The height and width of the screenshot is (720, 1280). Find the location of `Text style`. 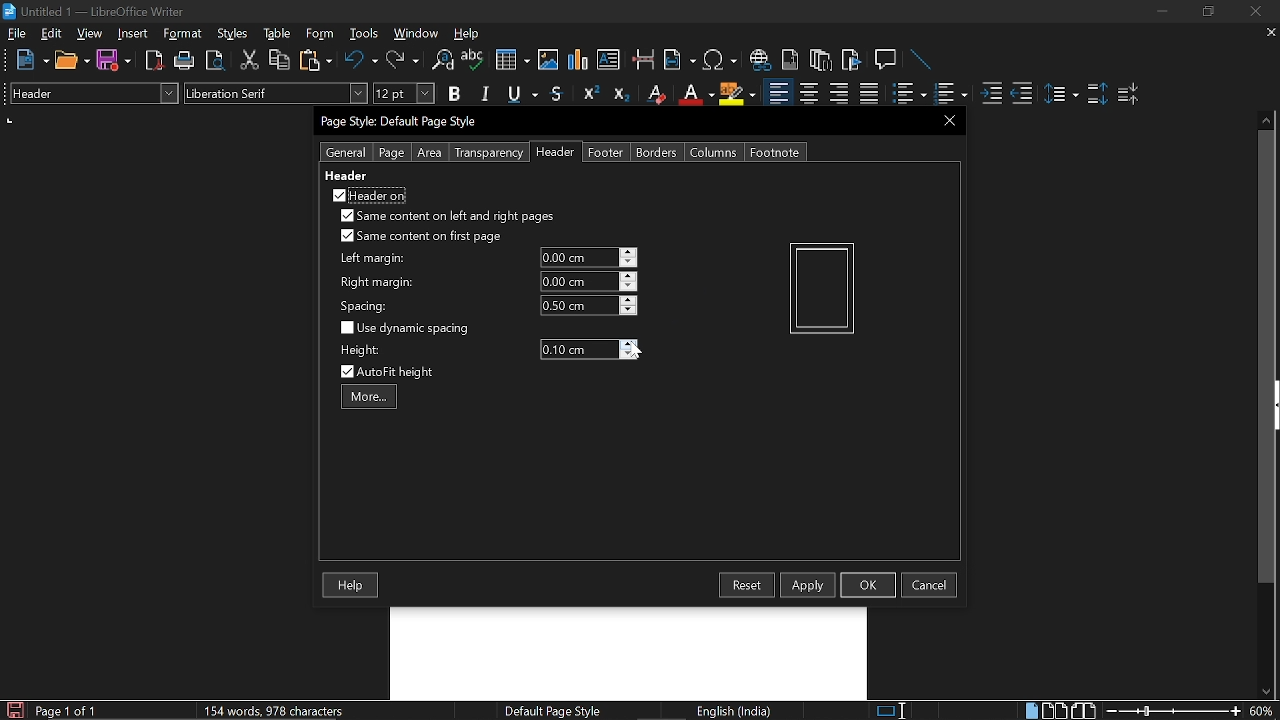

Text style is located at coordinates (277, 93).